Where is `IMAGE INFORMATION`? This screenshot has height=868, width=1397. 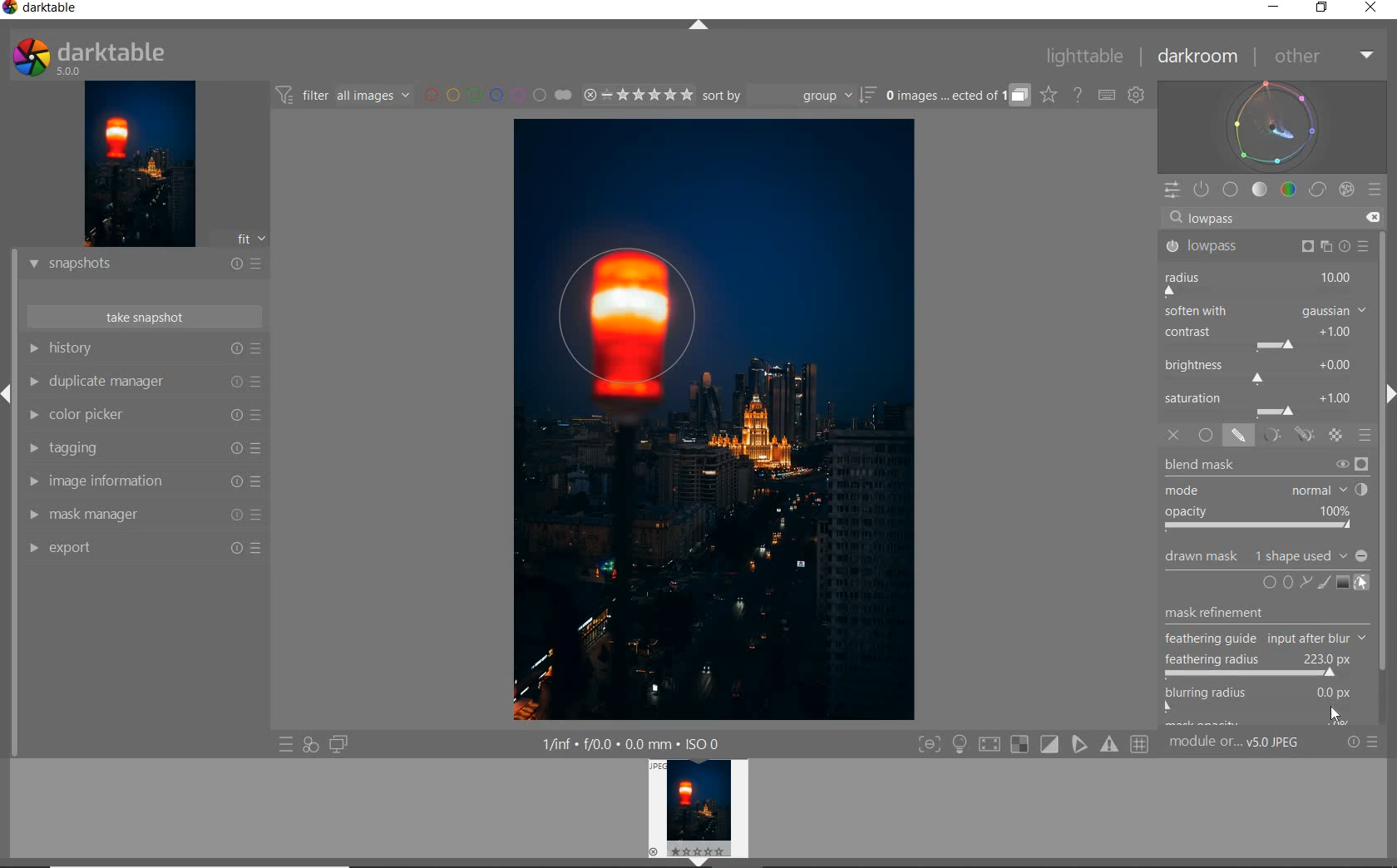
IMAGE INFORMATION is located at coordinates (143, 483).